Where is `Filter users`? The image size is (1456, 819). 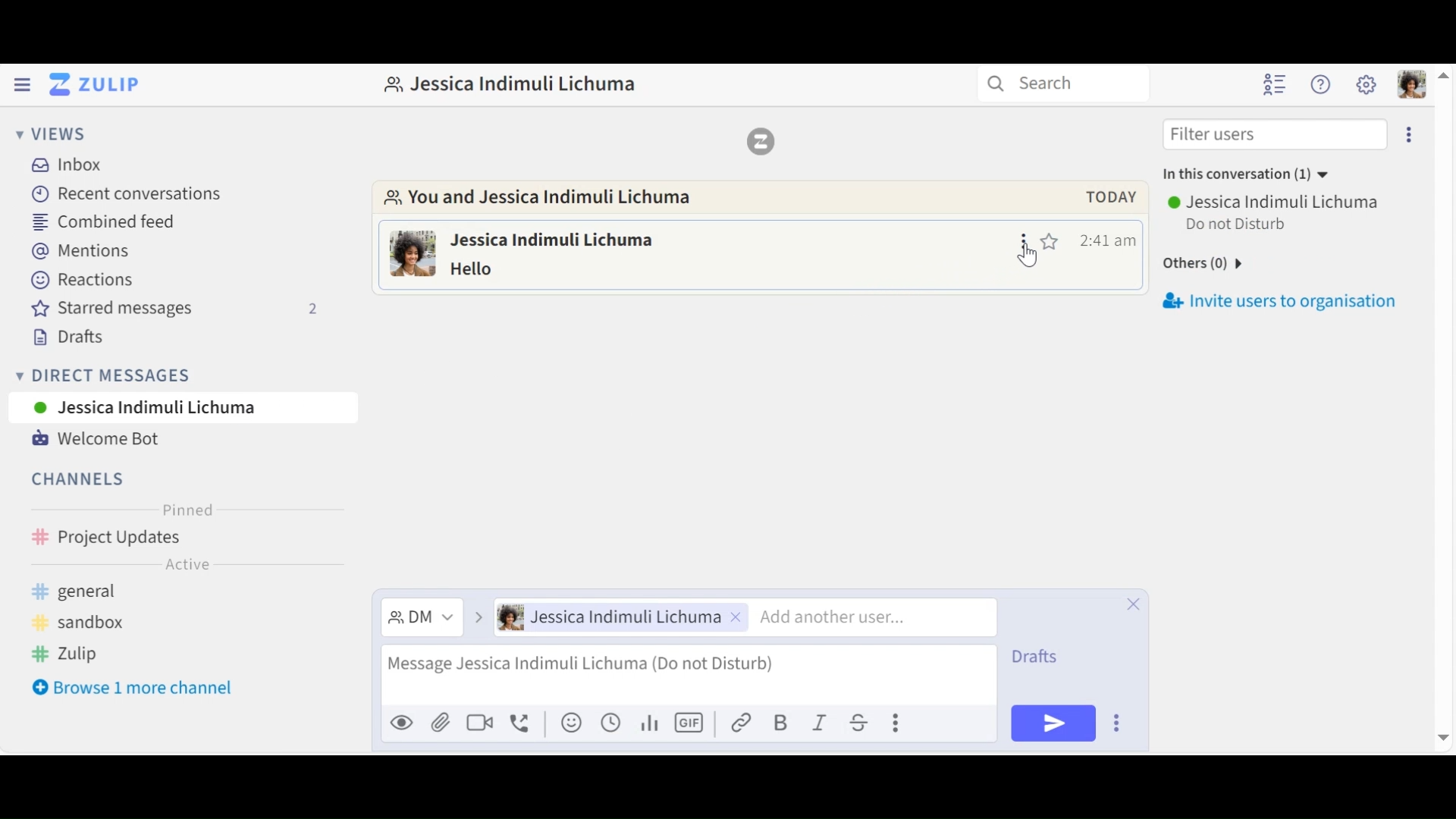
Filter users is located at coordinates (1276, 133).